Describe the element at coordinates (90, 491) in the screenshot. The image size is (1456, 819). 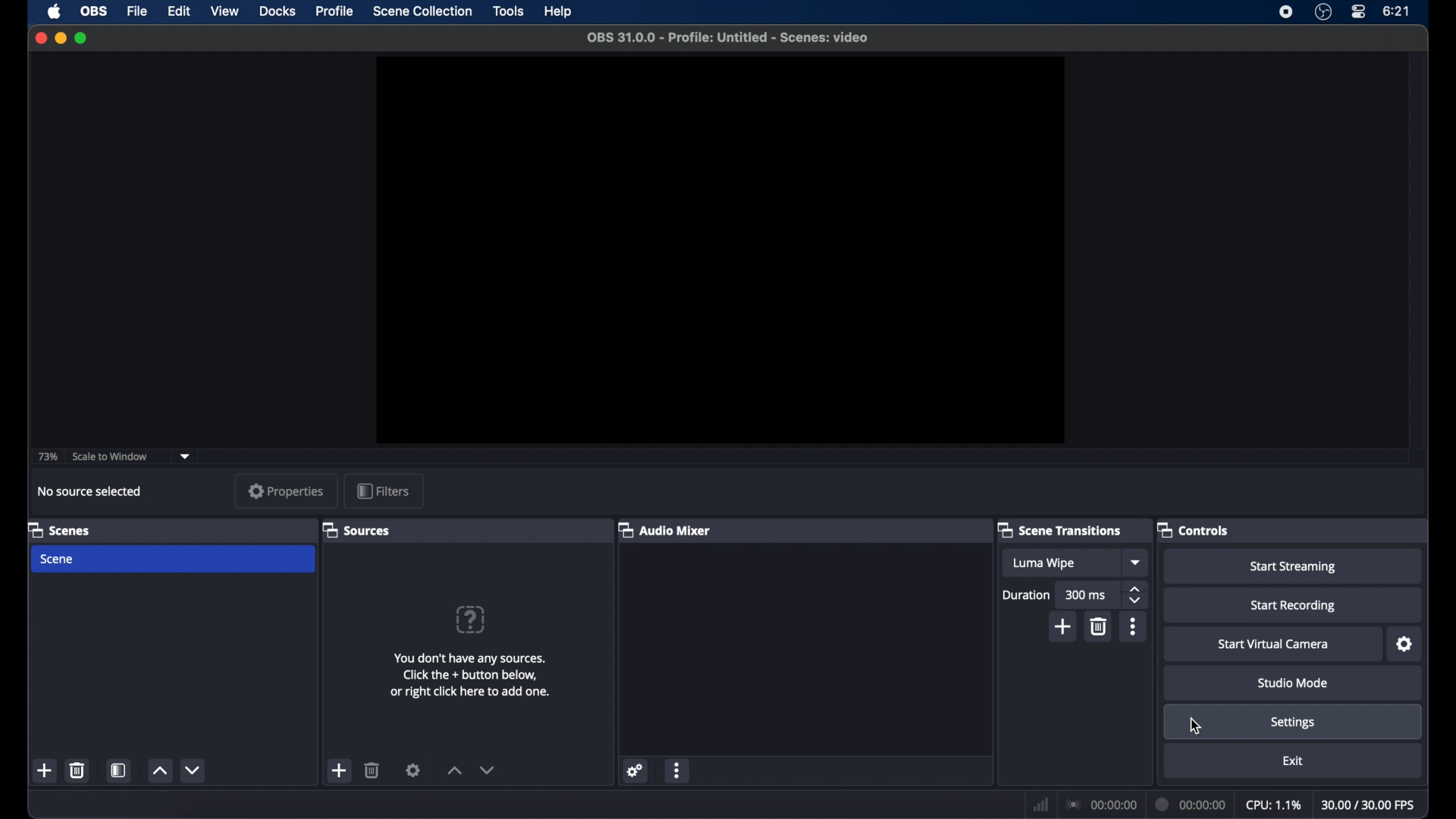
I see `no source selected` at that location.